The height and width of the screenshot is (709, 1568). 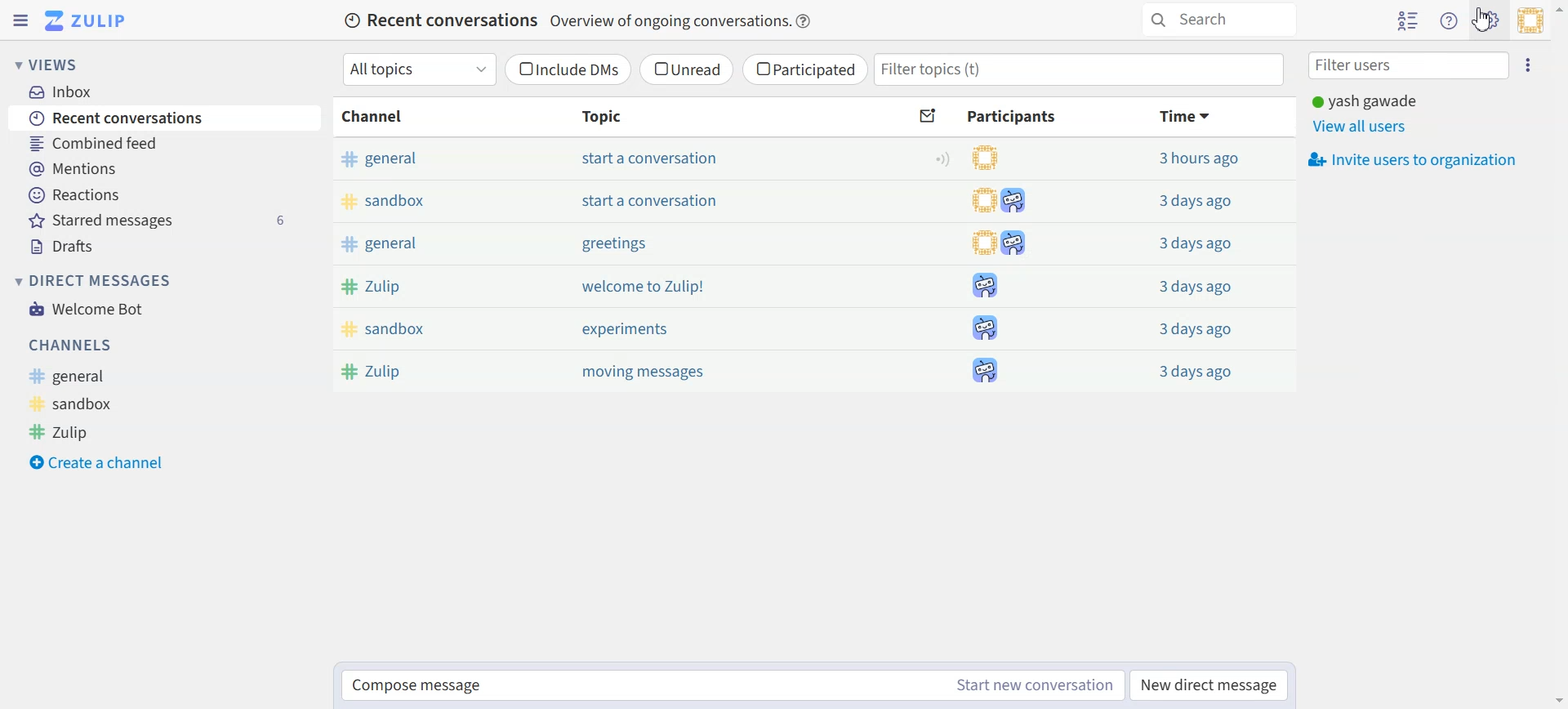 What do you see at coordinates (87, 308) in the screenshot?
I see `Welcome Bot` at bounding box center [87, 308].